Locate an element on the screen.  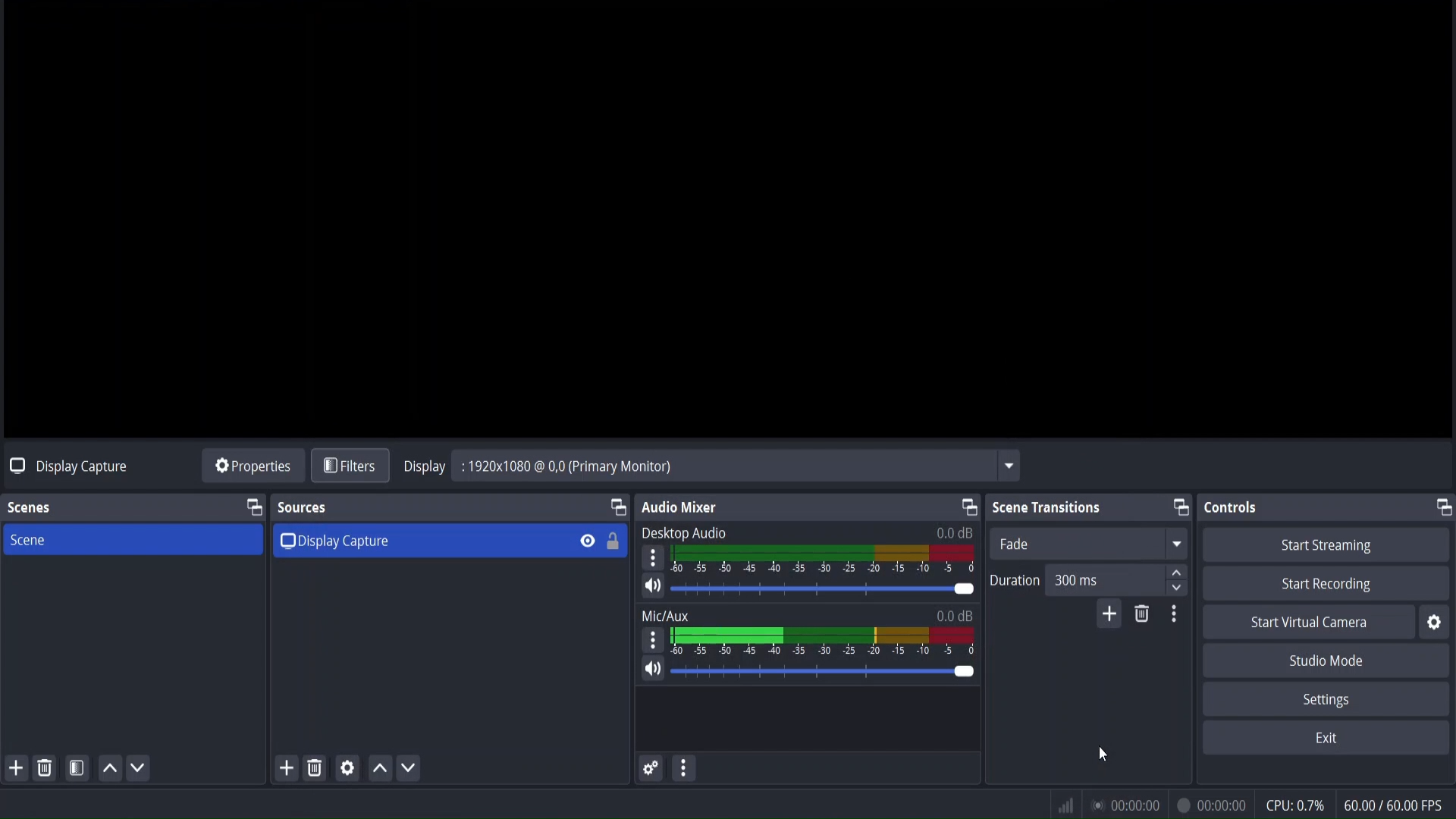
Display is located at coordinates (721, 467).